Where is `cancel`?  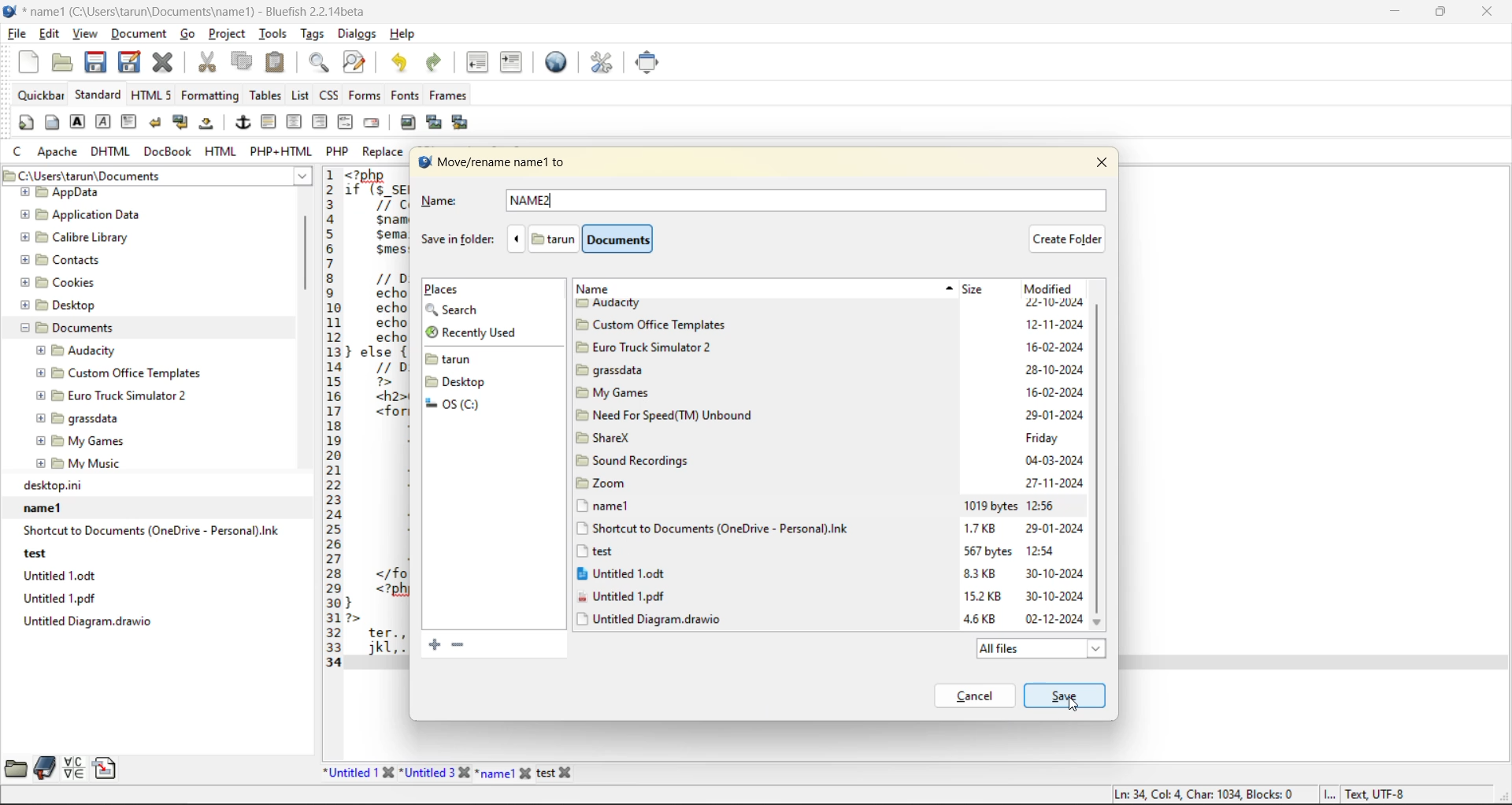 cancel is located at coordinates (979, 695).